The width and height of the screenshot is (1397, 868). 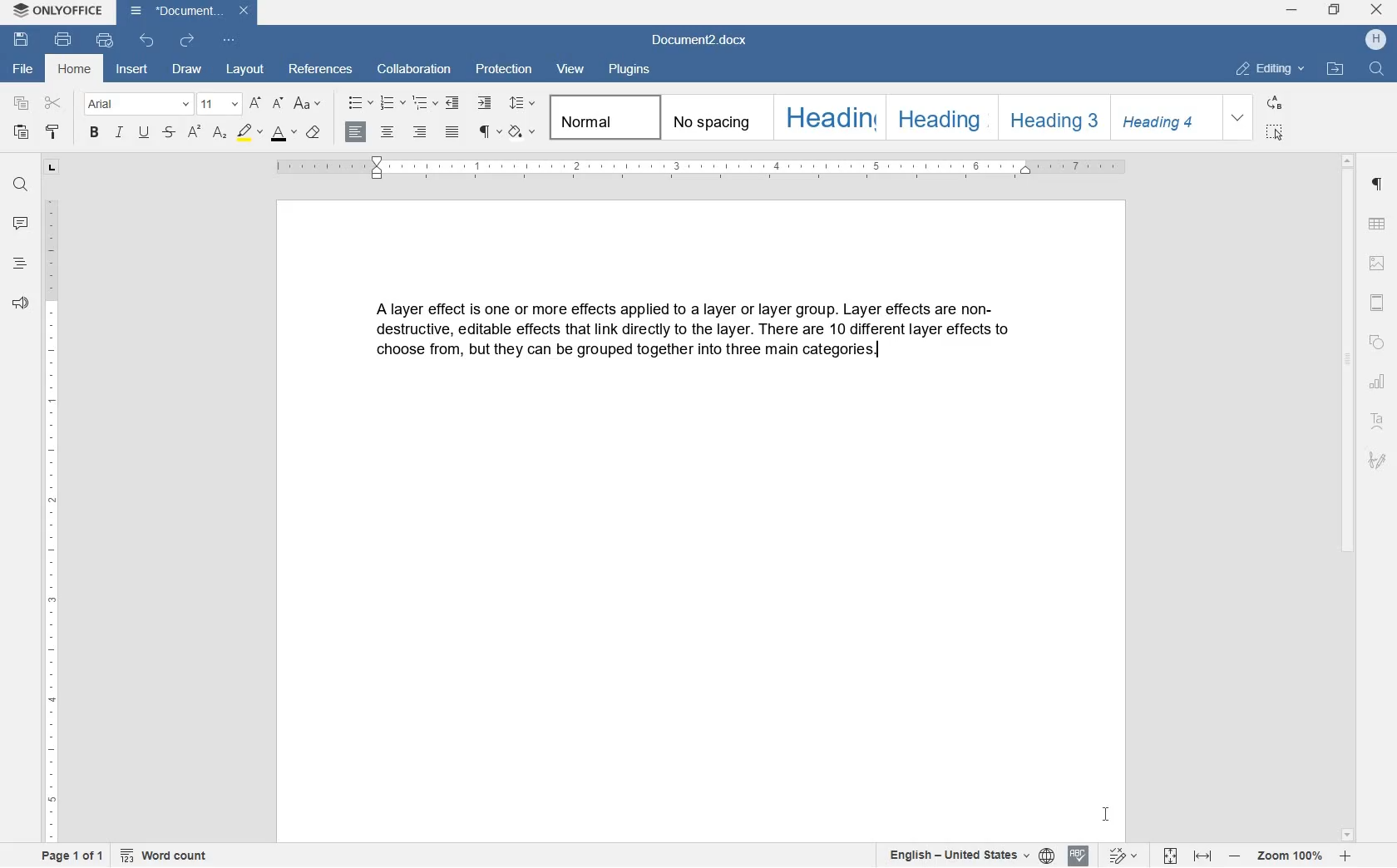 What do you see at coordinates (485, 104) in the screenshot?
I see `INCREASE INDENT` at bounding box center [485, 104].